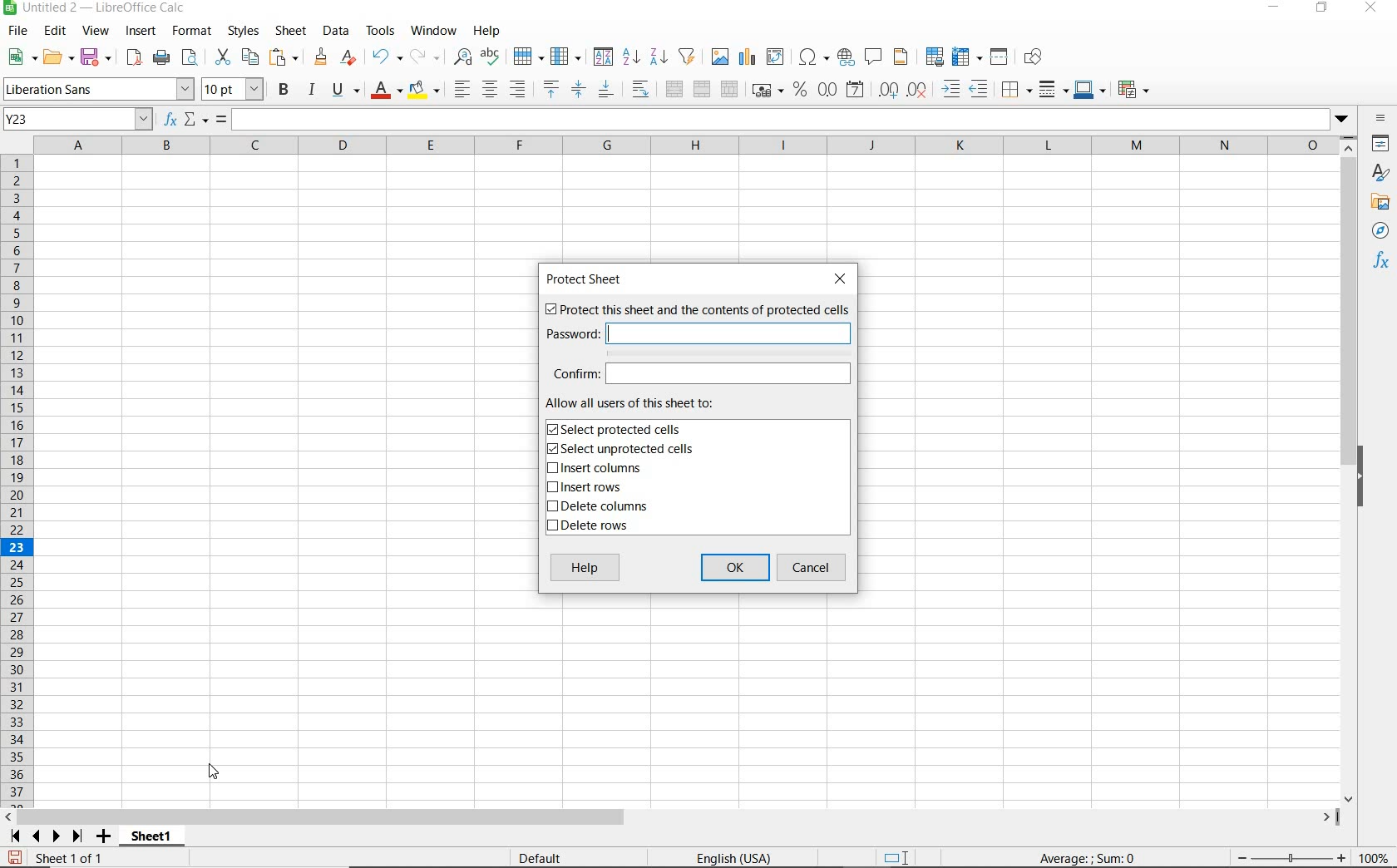 This screenshot has height=868, width=1397. Describe the element at coordinates (150, 834) in the screenshot. I see `sheet 1` at that location.